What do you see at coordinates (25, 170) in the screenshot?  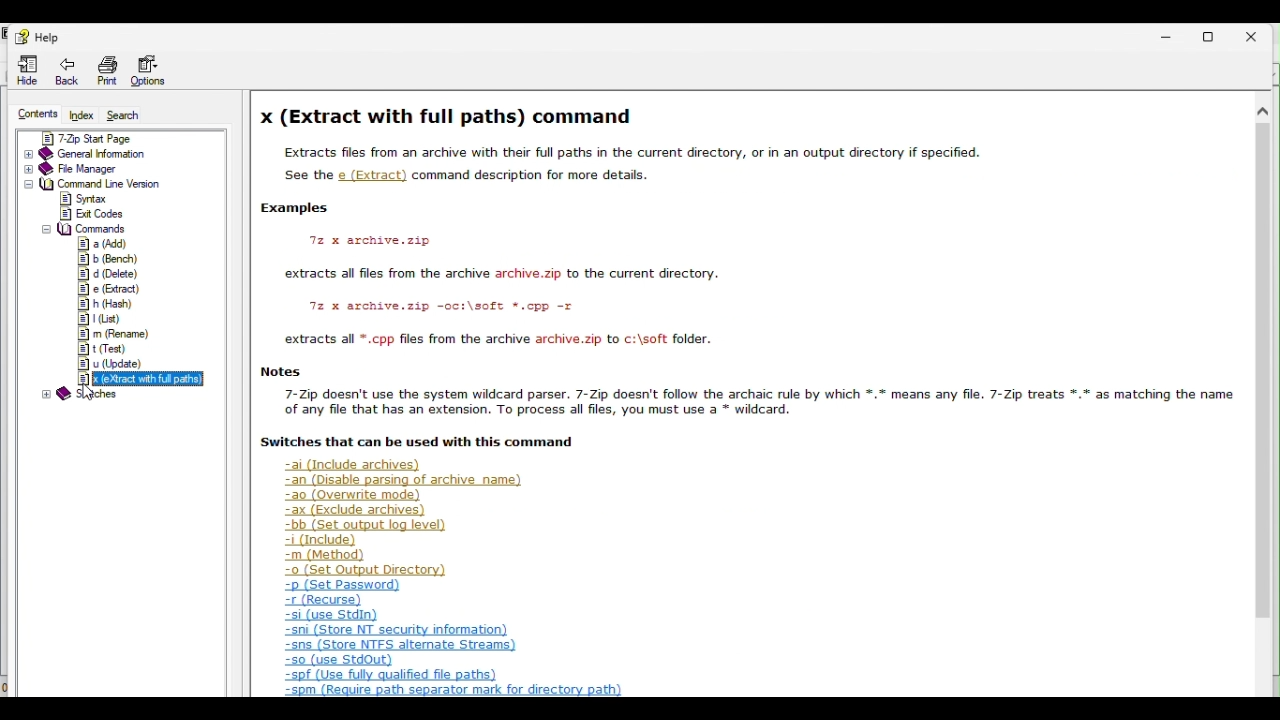 I see `expand` at bounding box center [25, 170].